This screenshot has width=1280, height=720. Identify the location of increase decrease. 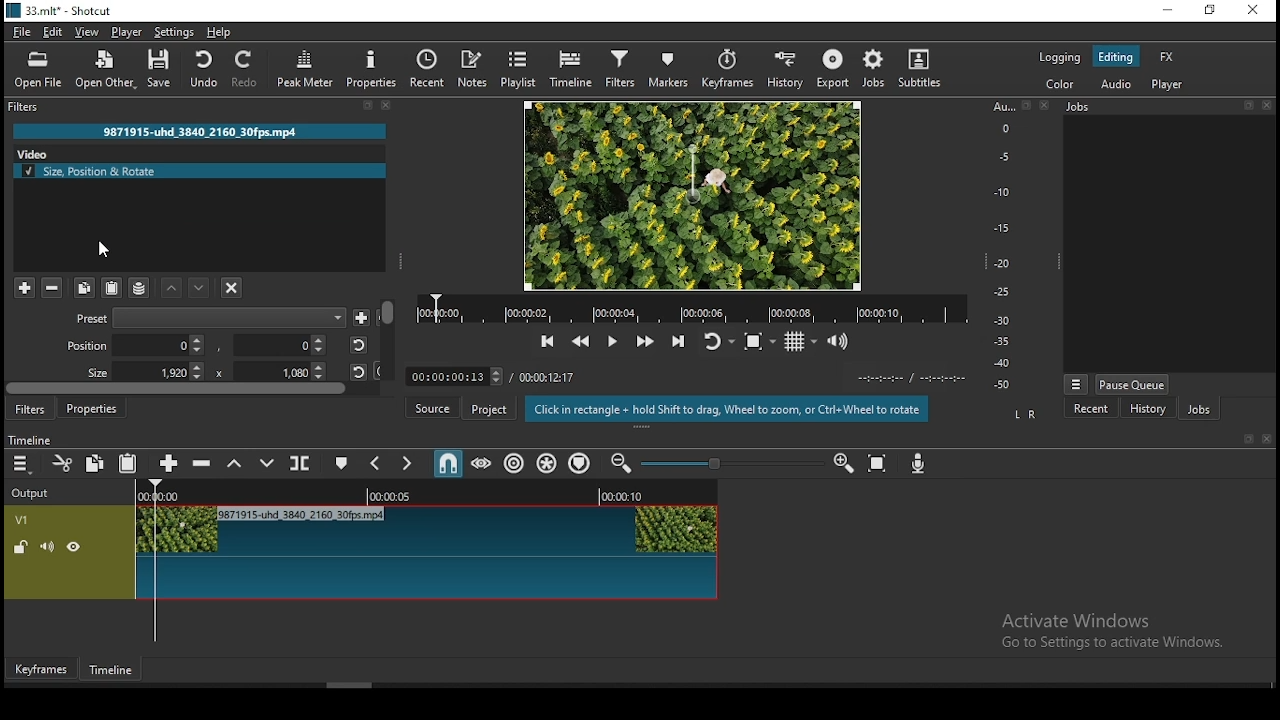
(495, 375).